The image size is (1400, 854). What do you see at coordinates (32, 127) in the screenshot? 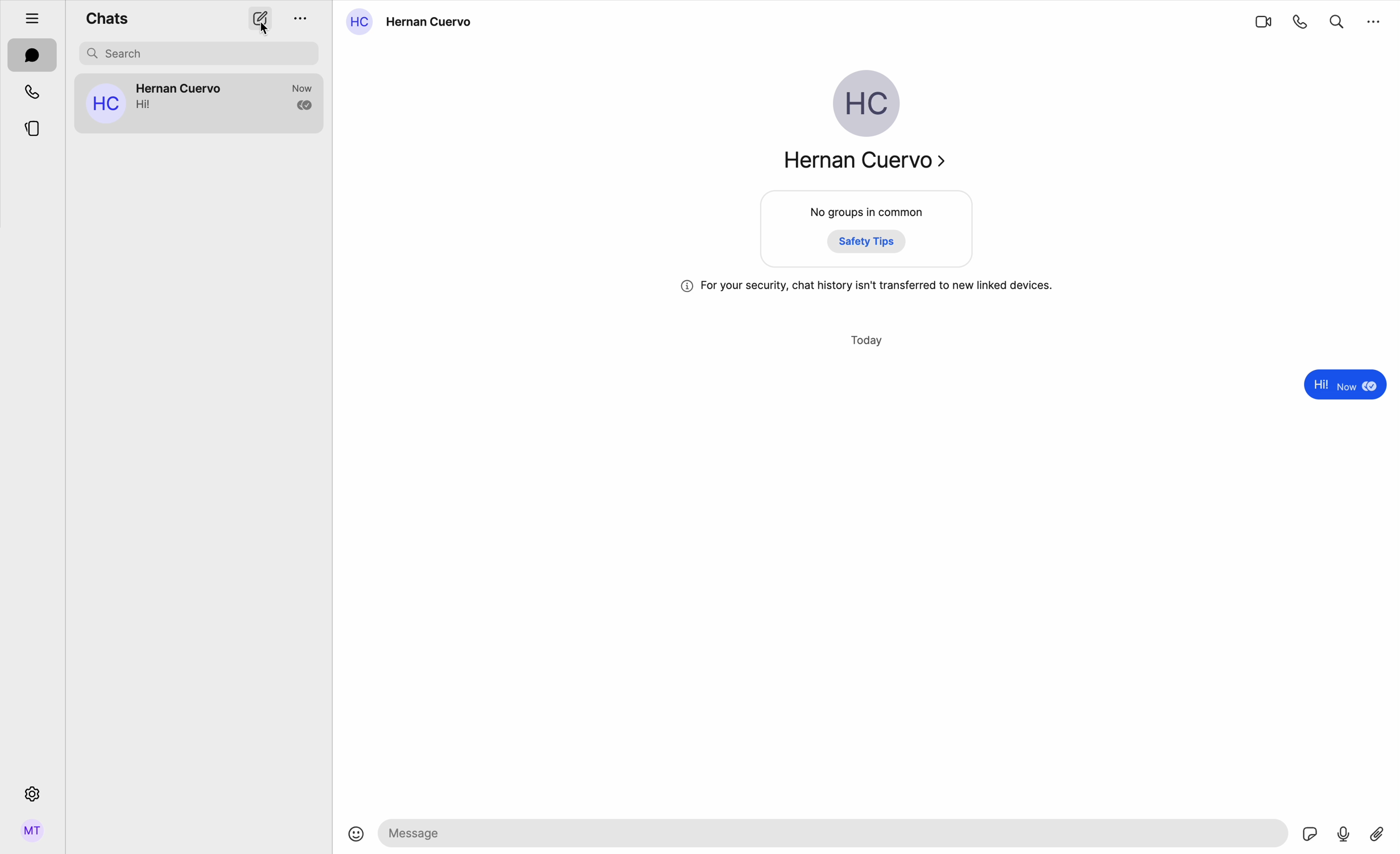
I see `stories` at bounding box center [32, 127].